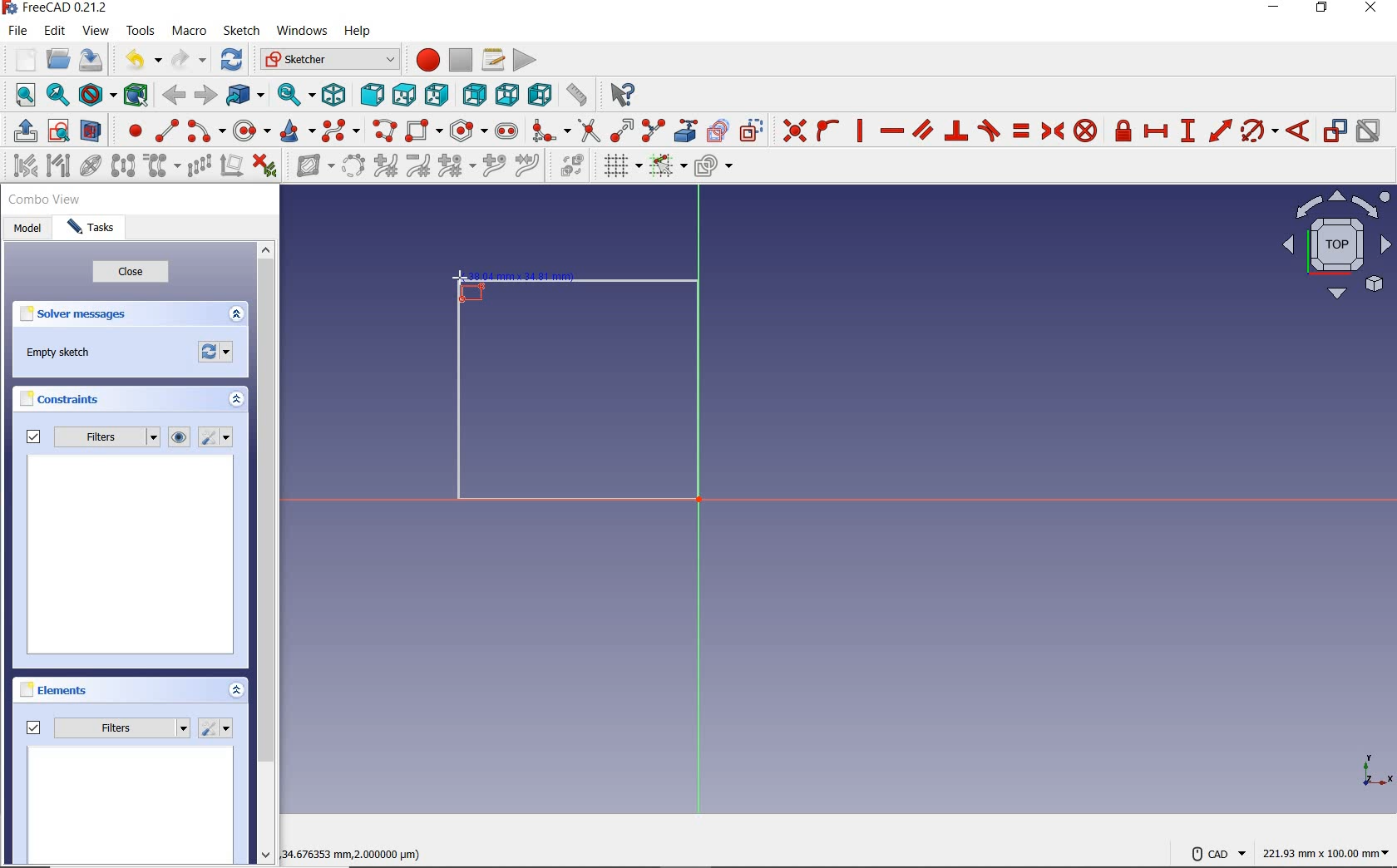 The width and height of the screenshot is (1397, 868). I want to click on ssttings, so click(218, 438).